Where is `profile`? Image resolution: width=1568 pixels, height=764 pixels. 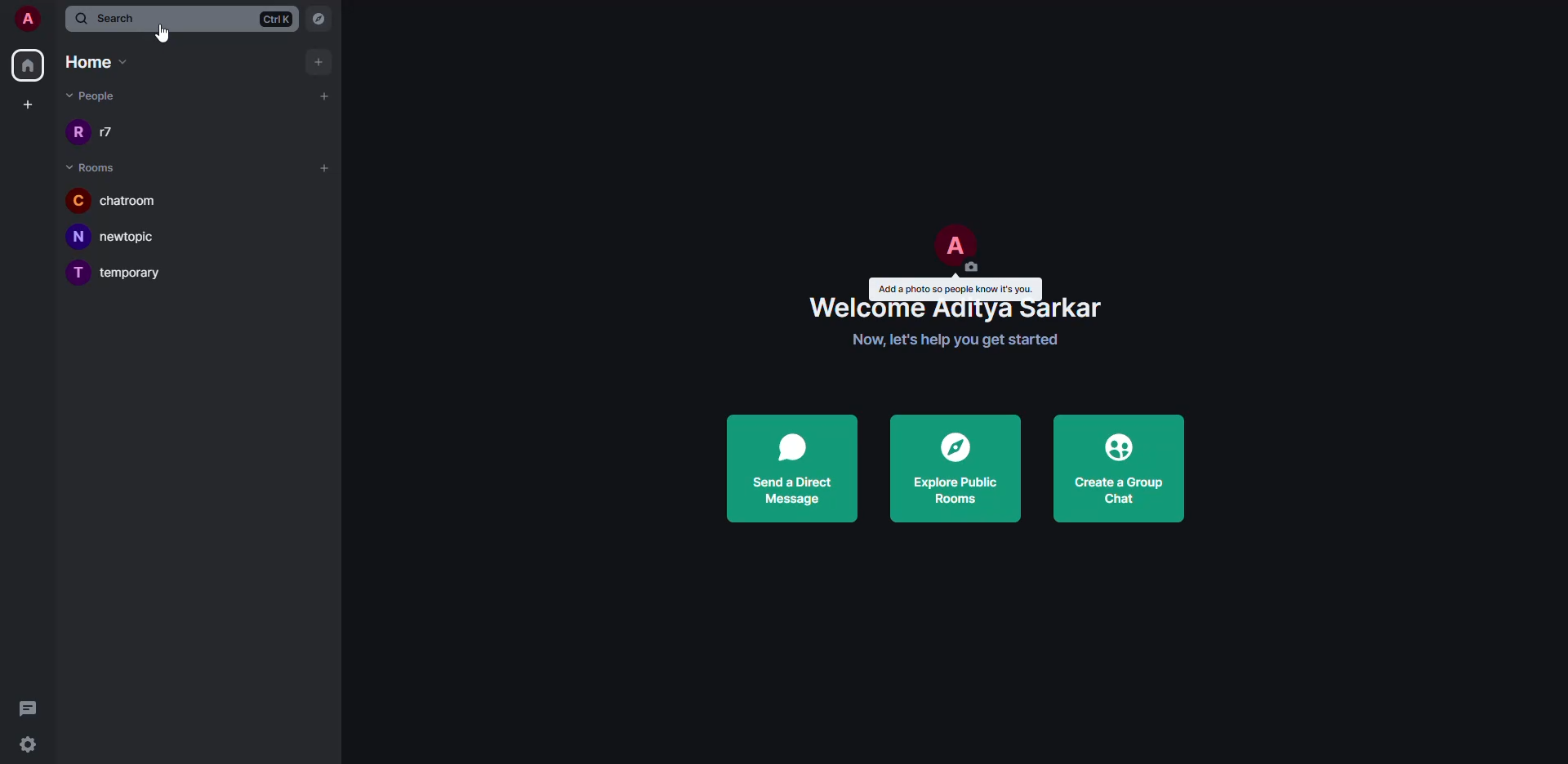
profile is located at coordinates (954, 246).